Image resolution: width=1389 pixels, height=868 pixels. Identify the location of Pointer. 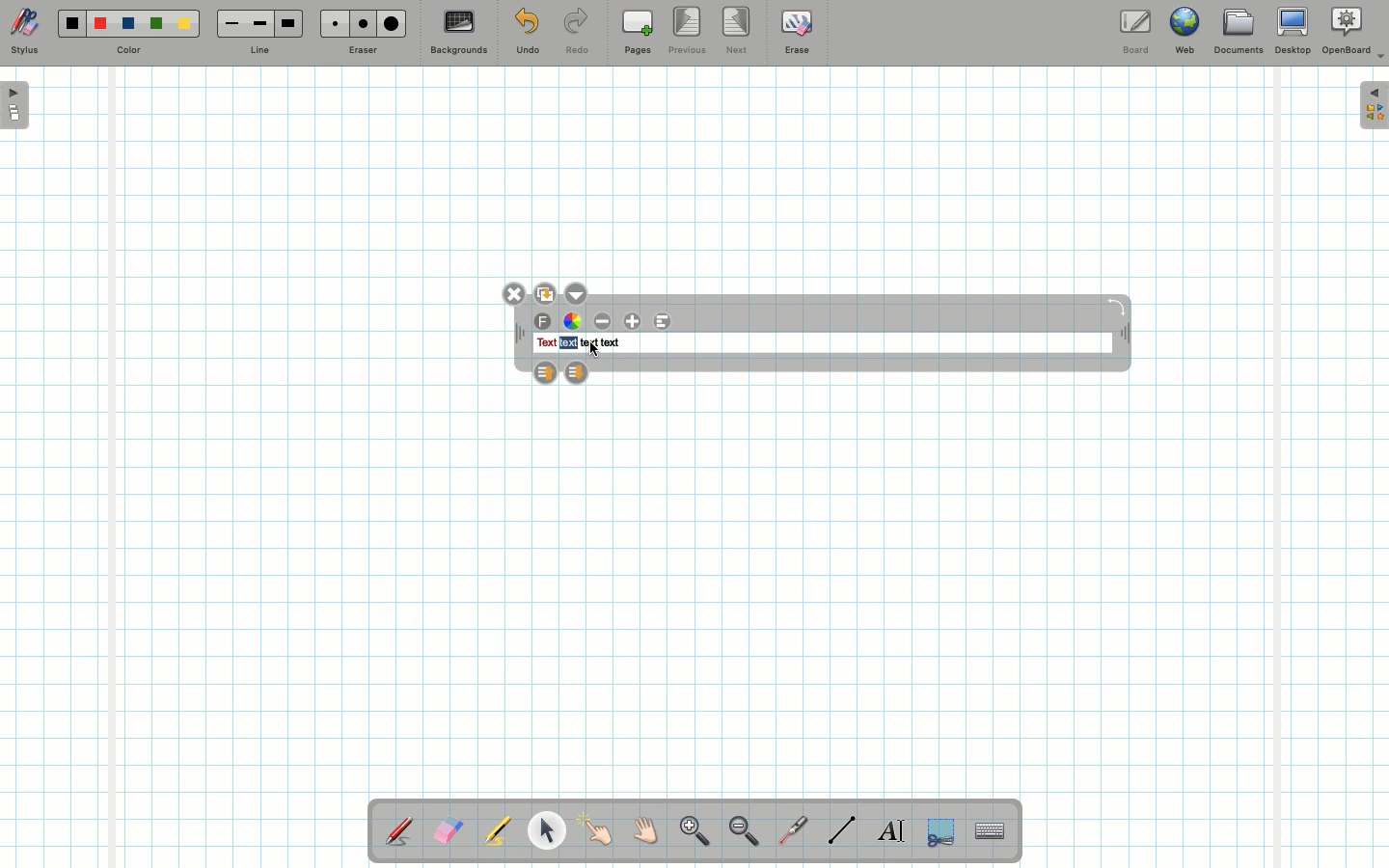
(596, 830).